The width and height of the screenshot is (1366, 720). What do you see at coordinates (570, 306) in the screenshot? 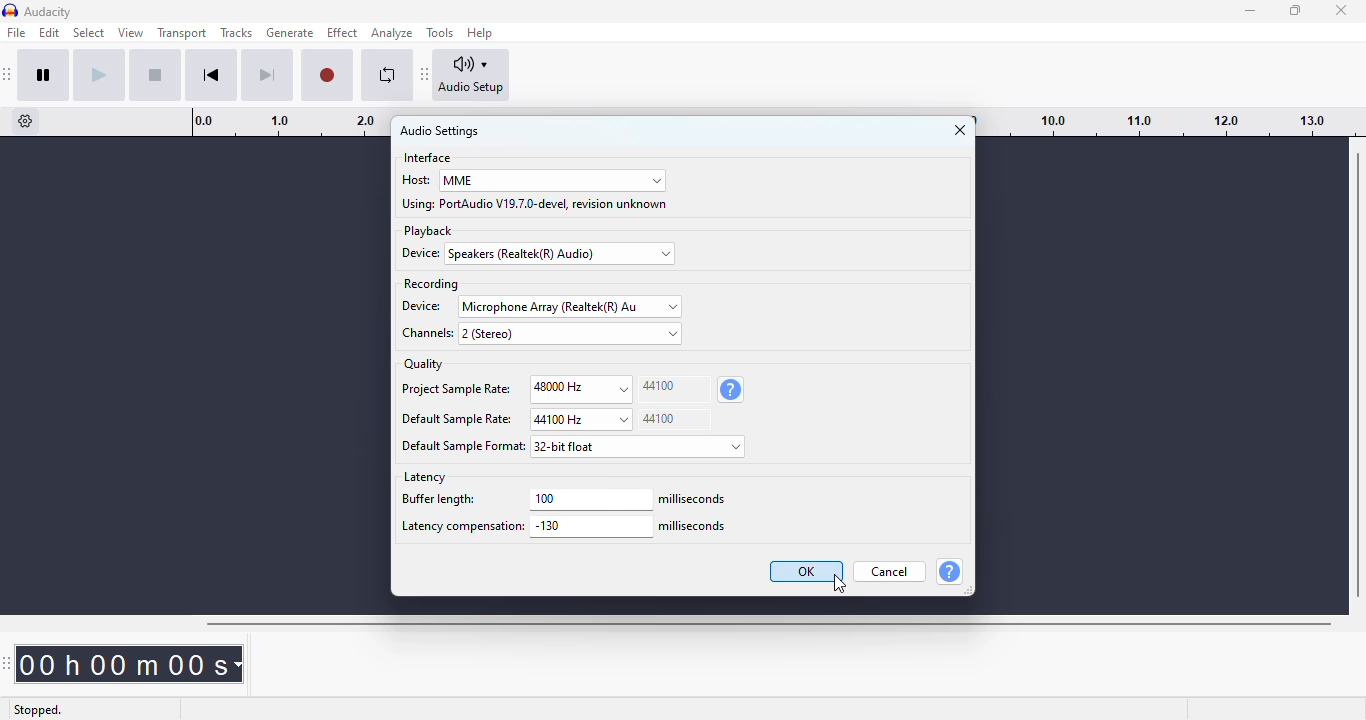
I see `select device` at bounding box center [570, 306].